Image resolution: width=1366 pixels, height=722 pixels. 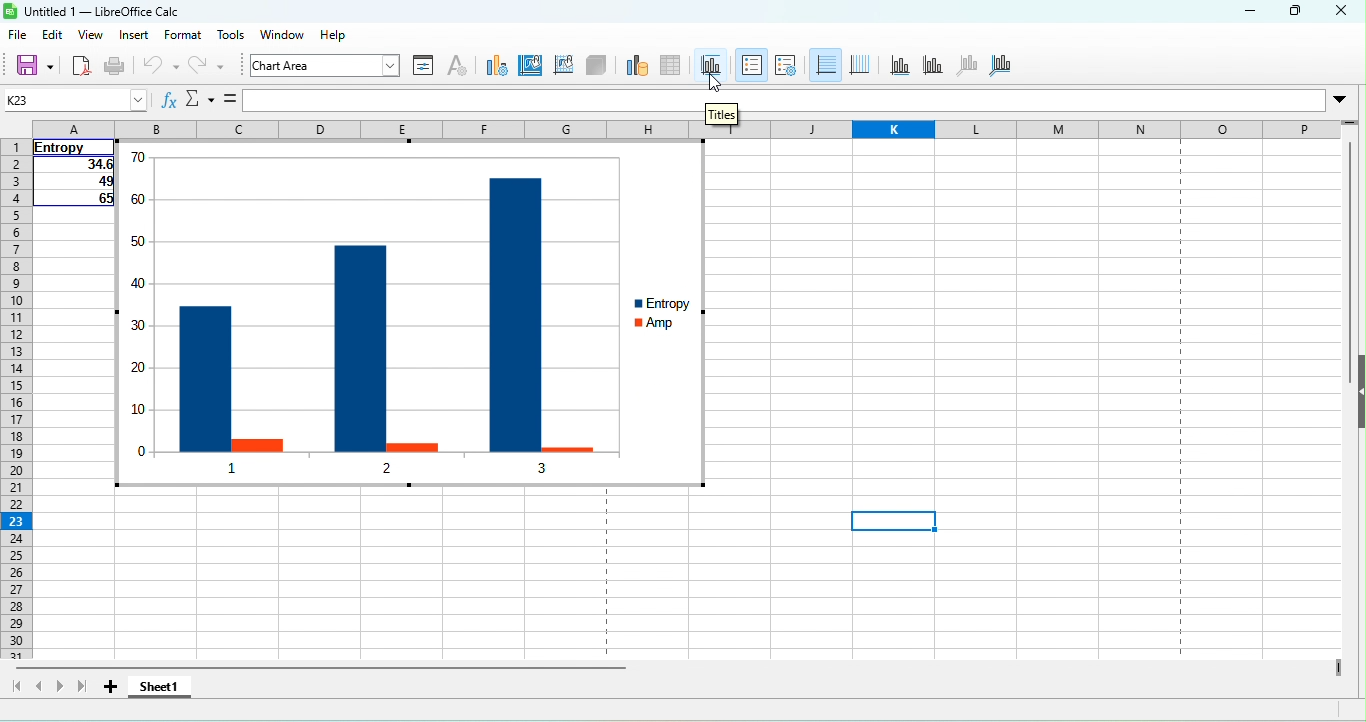 I want to click on amp 2, so click(x=411, y=443).